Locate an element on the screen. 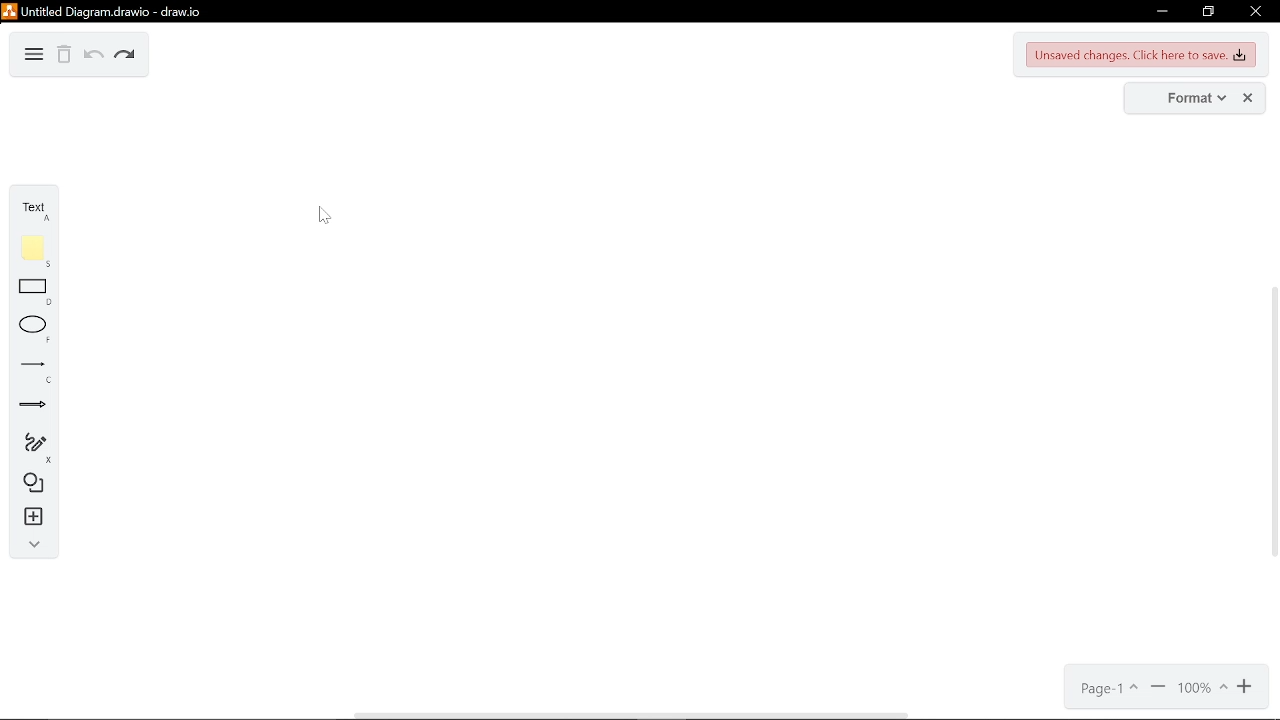  diagram is located at coordinates (32, 55).